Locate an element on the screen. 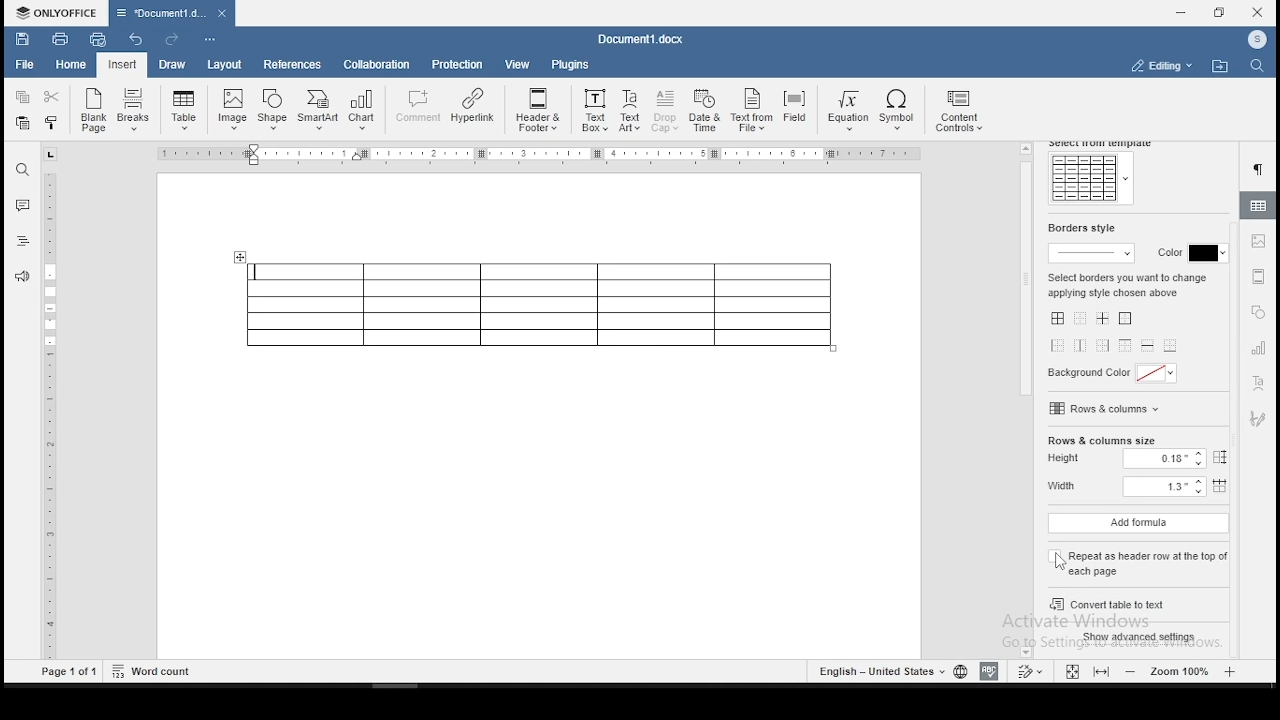 This screenshot has width=1280, height=720. repeat as header row at the top of each page is located at coordinates (1137, 559).